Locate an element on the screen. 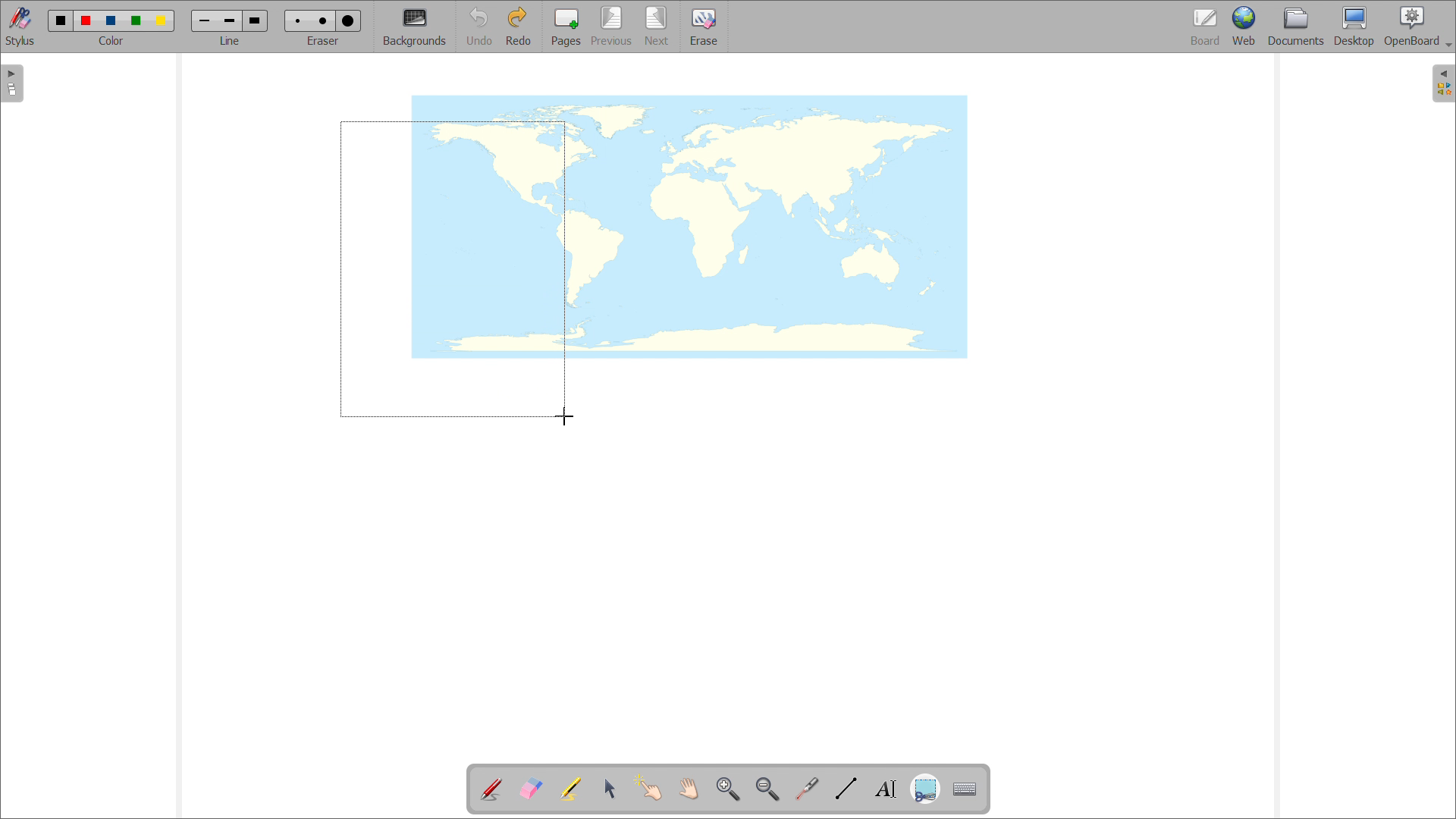 This screenshot has height=819, width=1456. line is located at coordinates (230, 40).